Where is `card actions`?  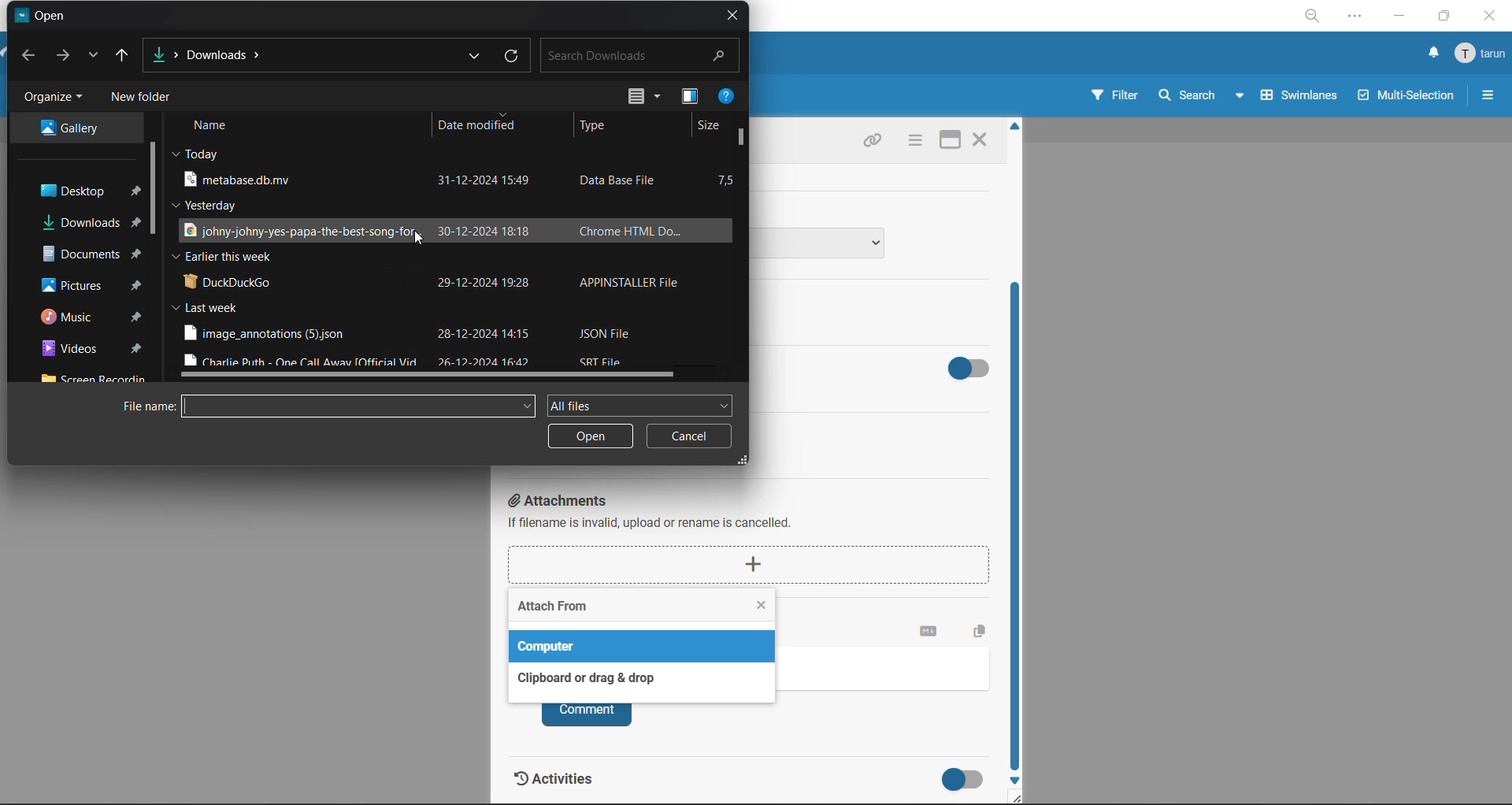
card actions is located at coordinates (913, 142).